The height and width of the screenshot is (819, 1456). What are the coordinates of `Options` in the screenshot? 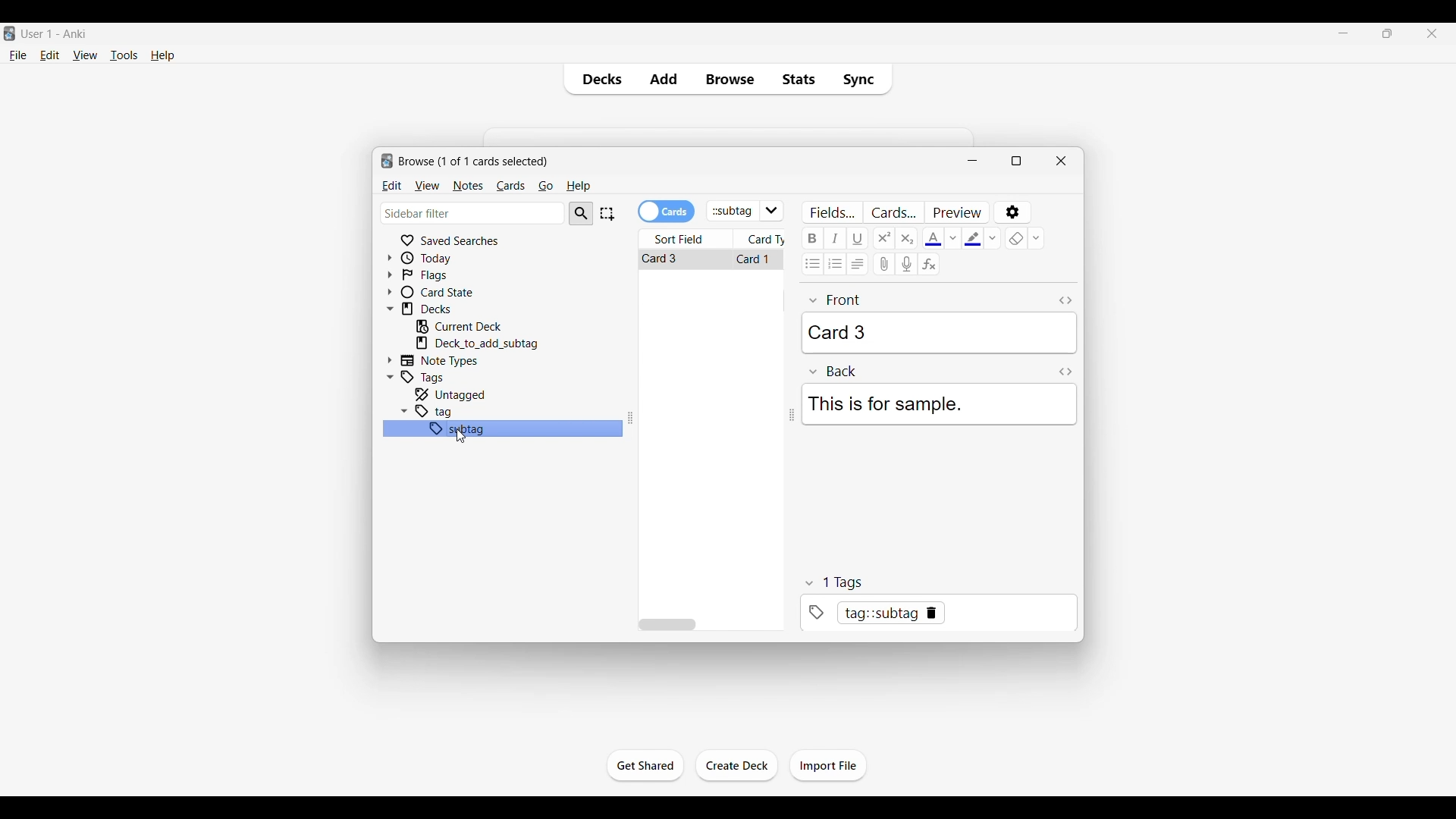 It's located at (1014, 212).